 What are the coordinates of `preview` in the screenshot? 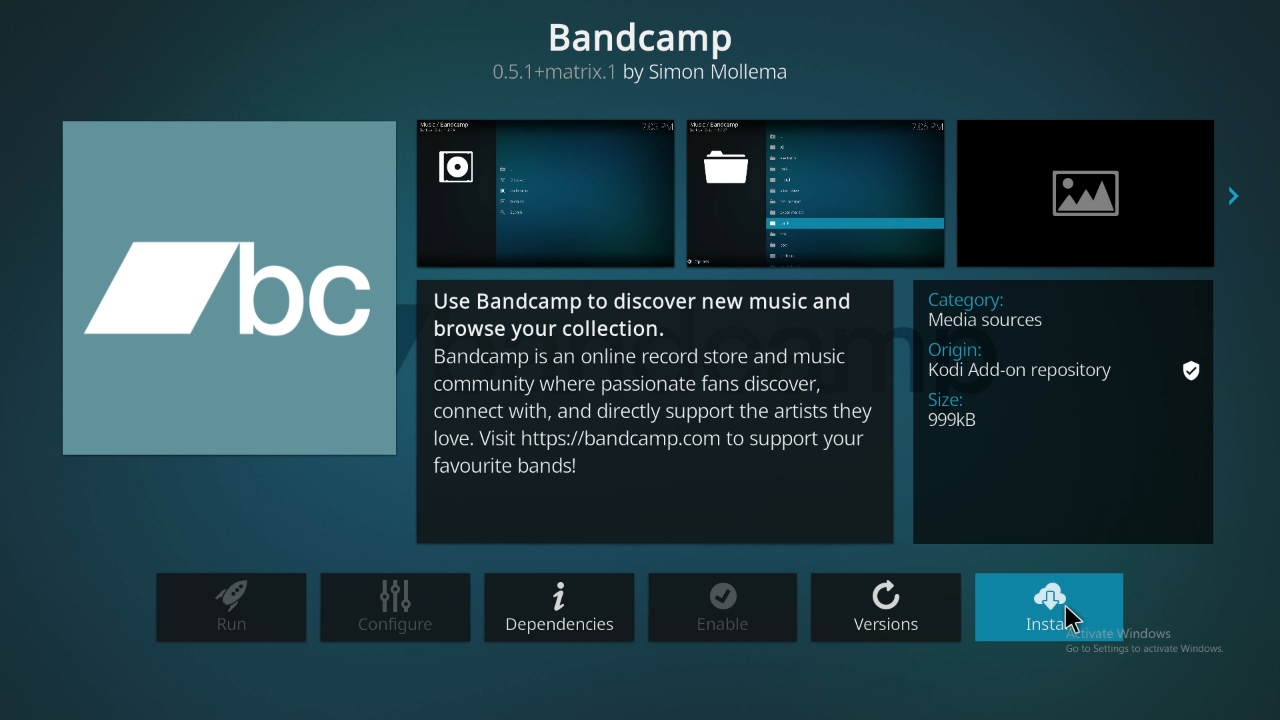 It's located at (1087, 193).